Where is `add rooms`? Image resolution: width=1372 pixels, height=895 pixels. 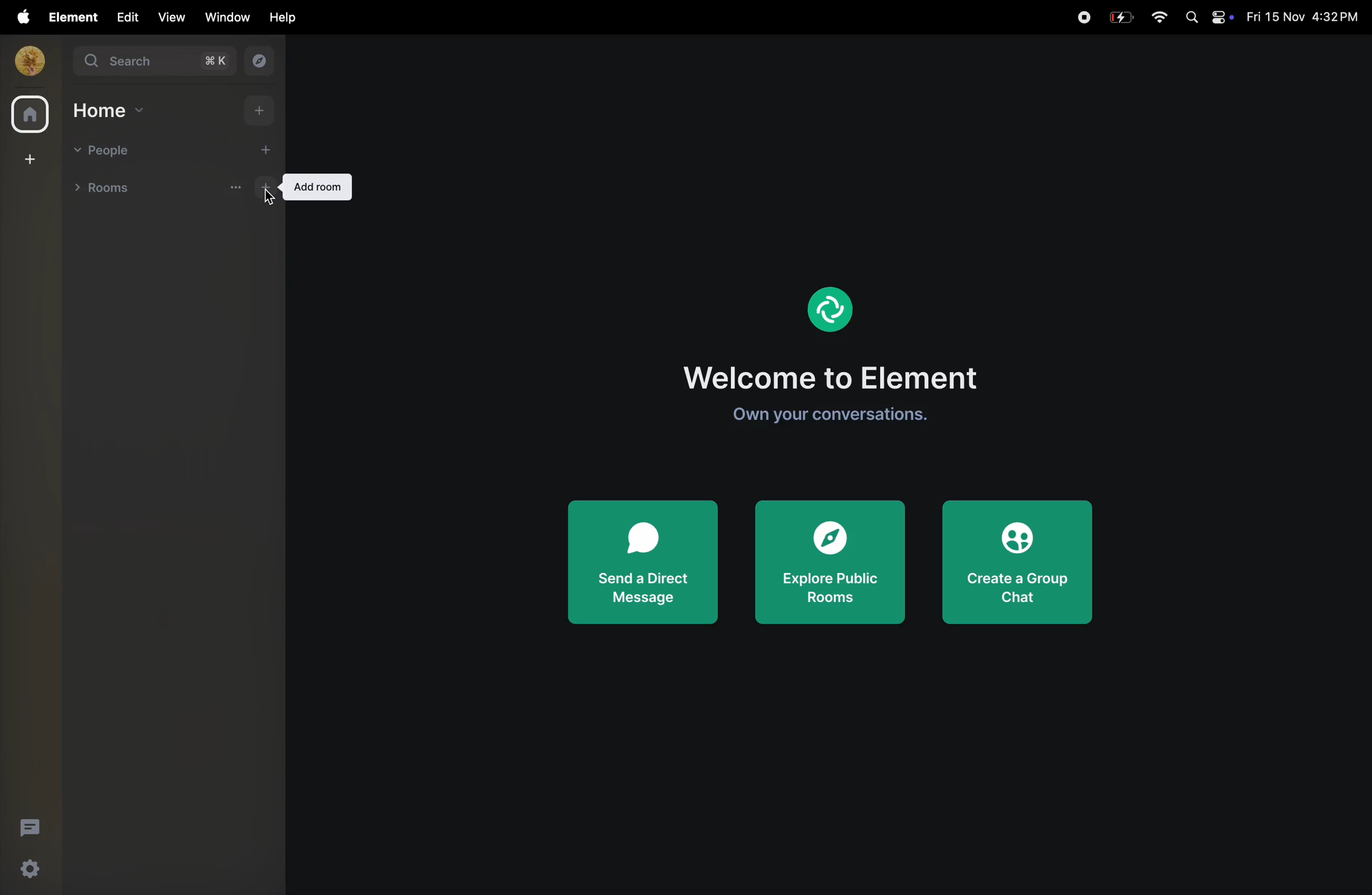 add rooms is located at coordinates (251, 192).